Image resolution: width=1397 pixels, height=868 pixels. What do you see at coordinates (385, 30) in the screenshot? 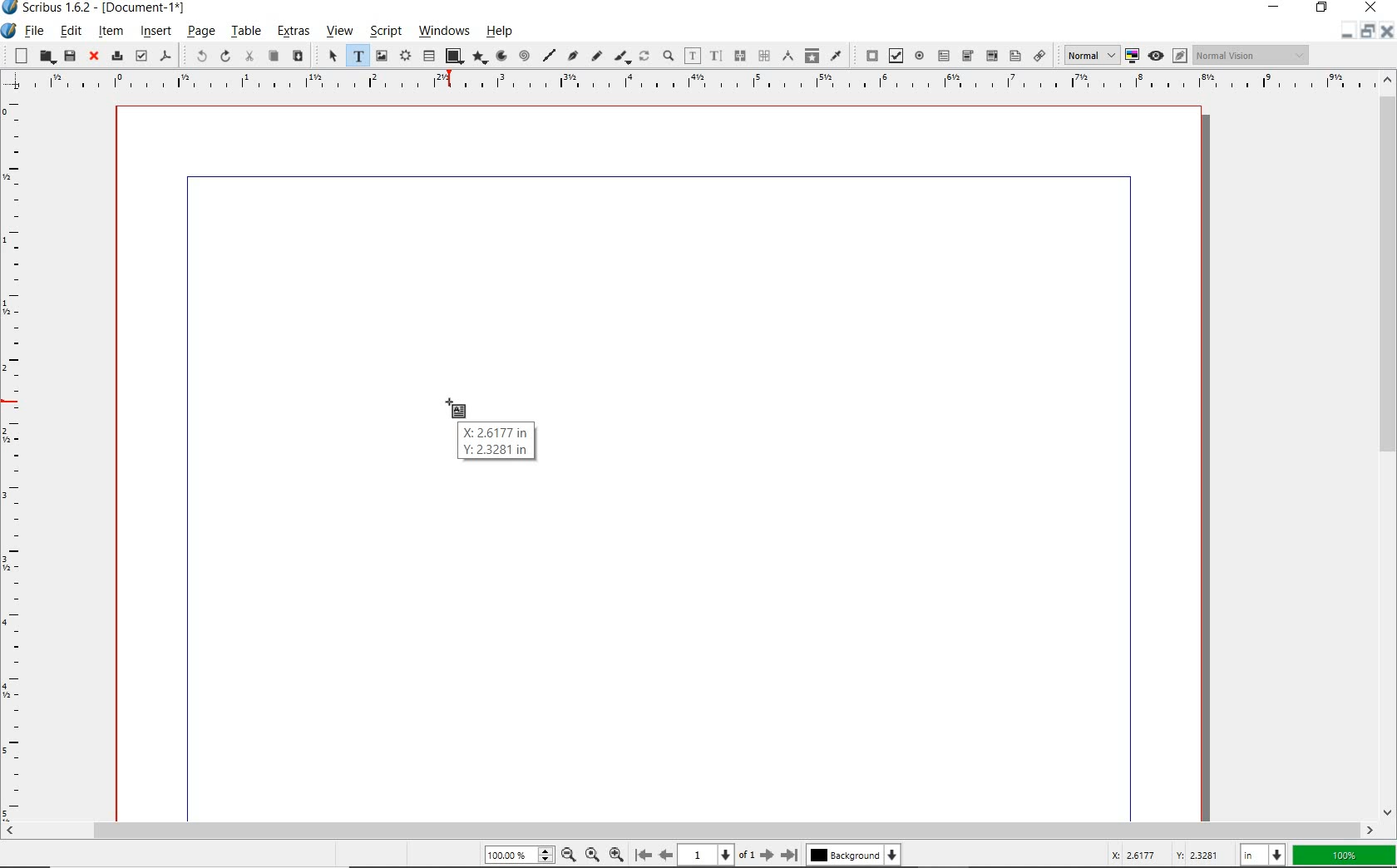
I see `script` at bounding box center [385, 30].